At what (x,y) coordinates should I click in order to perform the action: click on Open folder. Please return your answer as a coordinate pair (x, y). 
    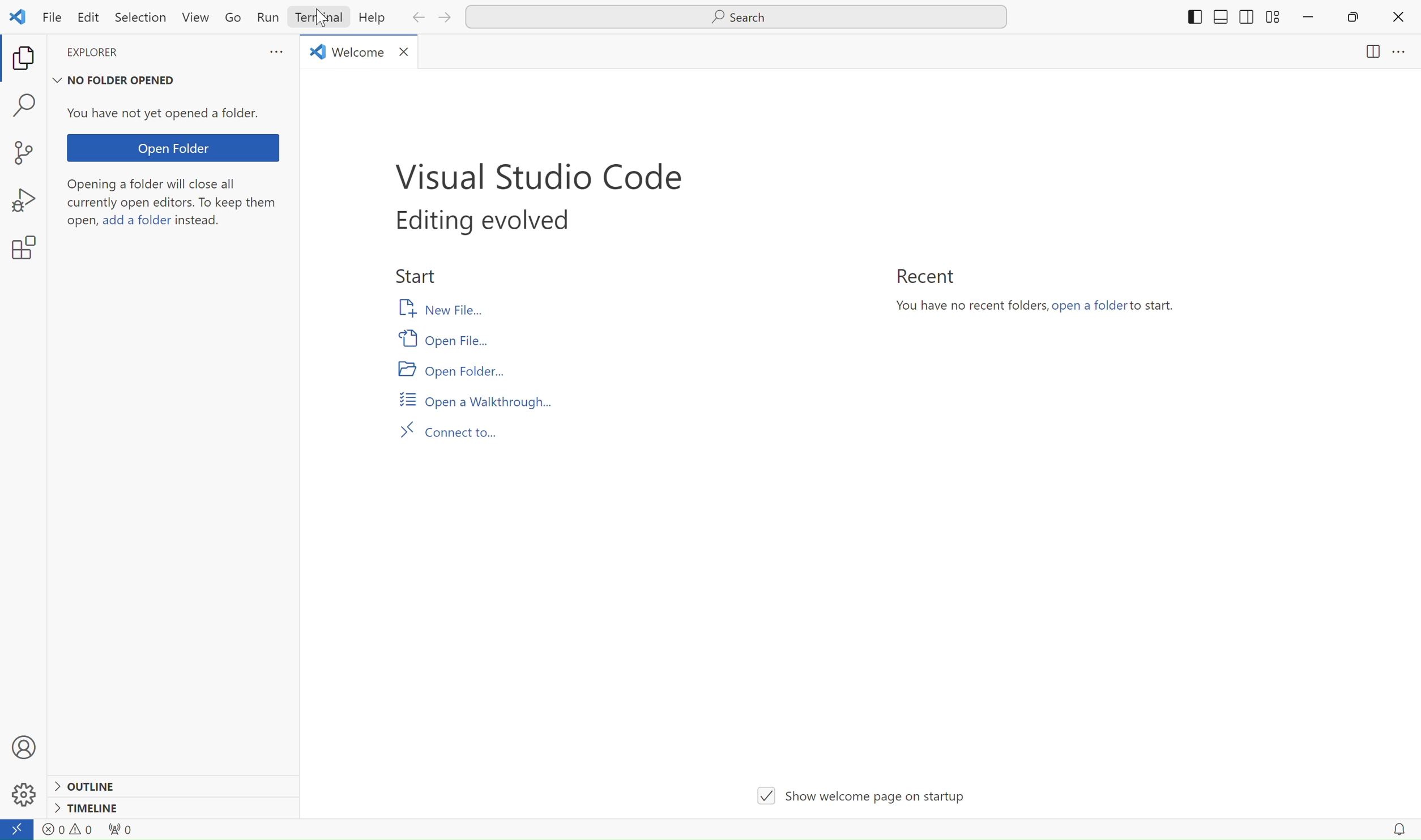
    Looking at the image, I should click on (449, 369).